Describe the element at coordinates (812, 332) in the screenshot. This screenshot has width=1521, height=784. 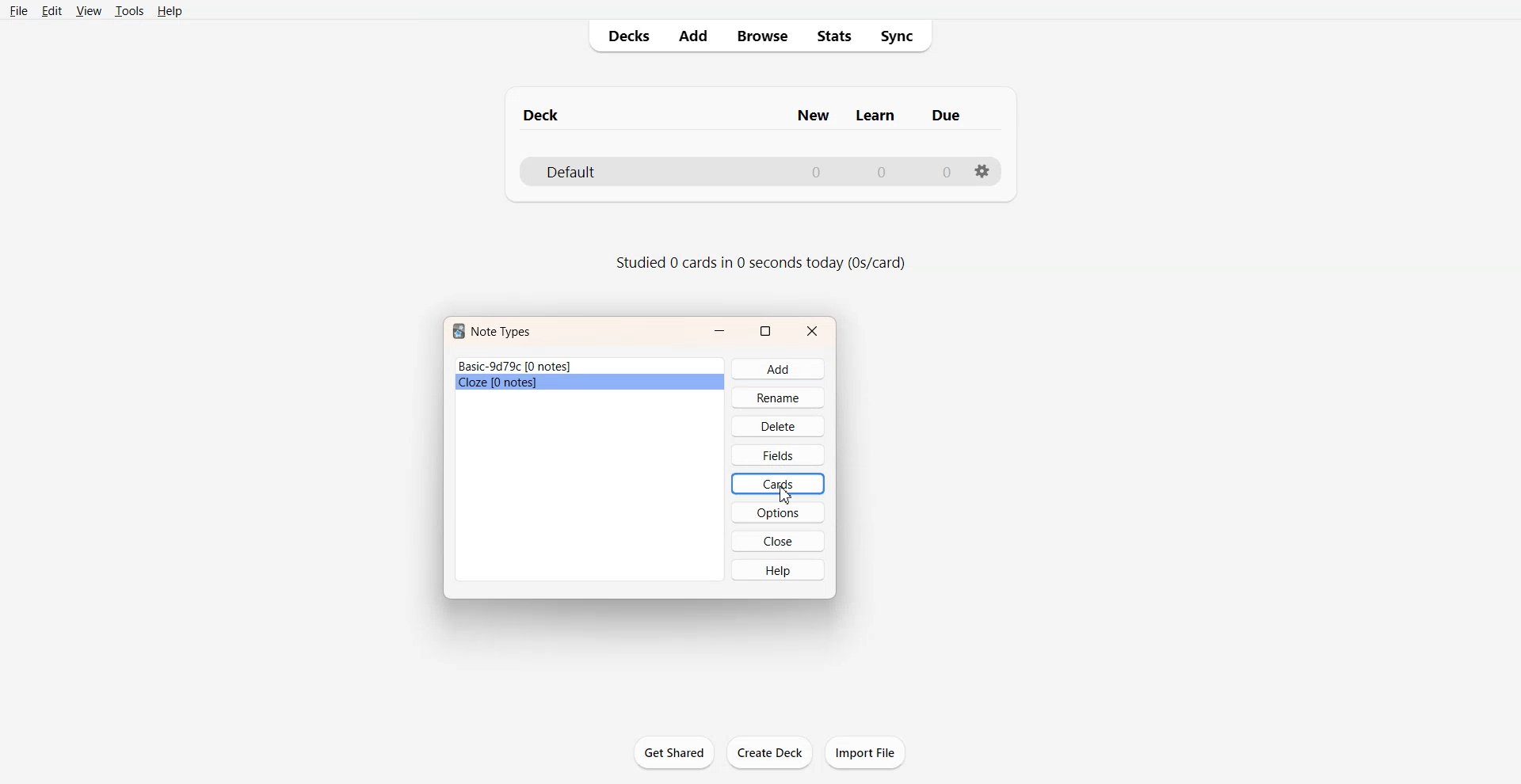
I see `Close` at that location.